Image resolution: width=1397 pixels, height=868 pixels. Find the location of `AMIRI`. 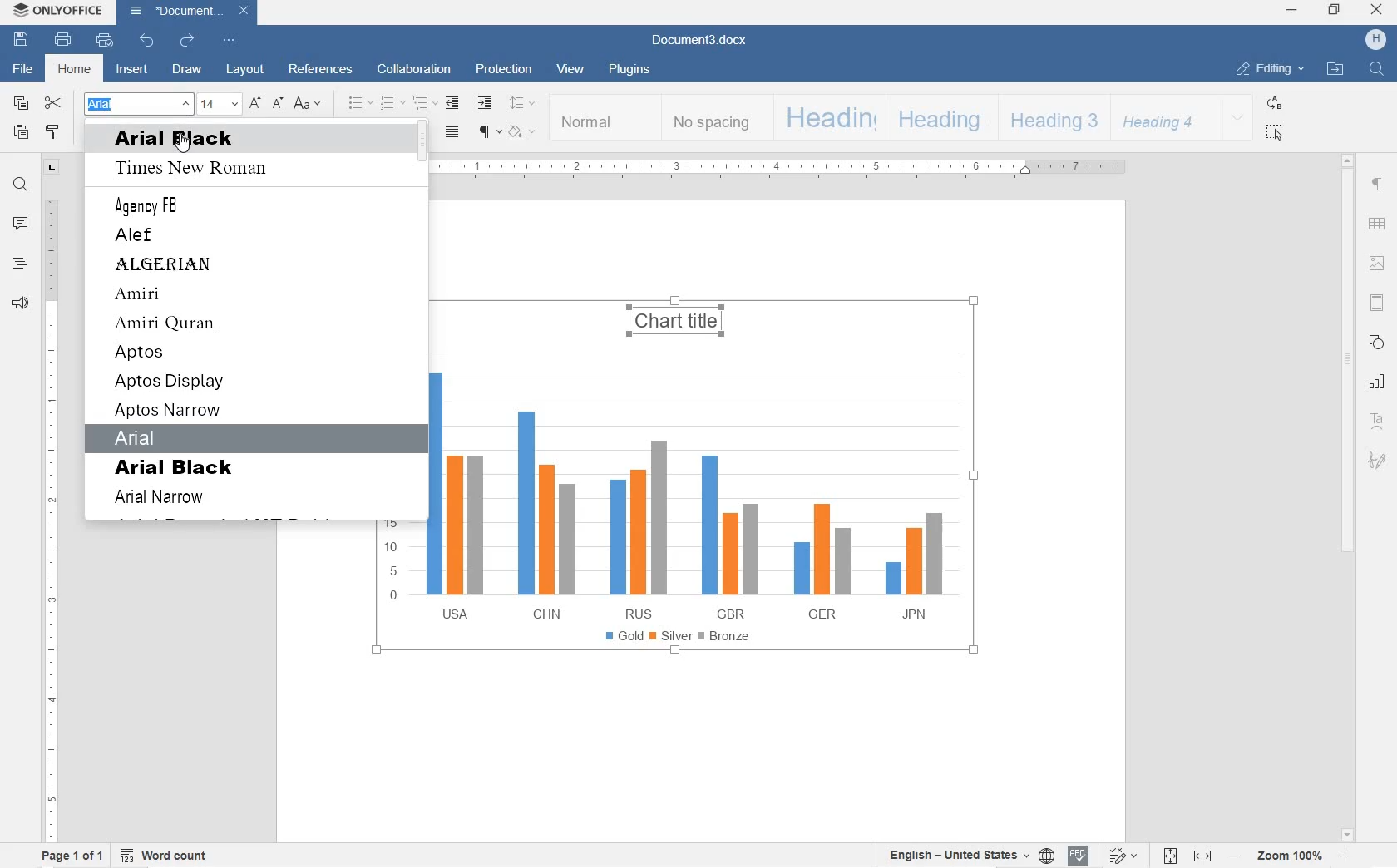

AMIRI is located at coordinates (161, 295).